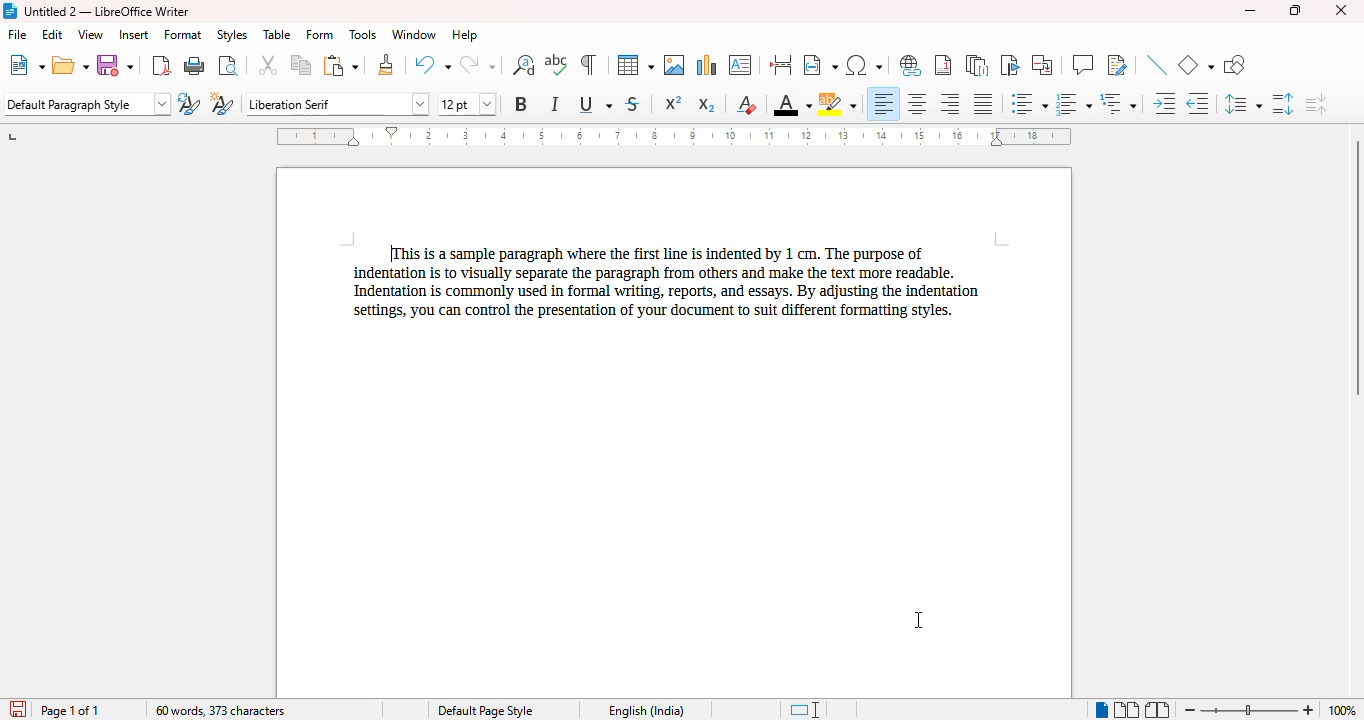 This screenshot has height=720, width=1364. I want to click on title, so click(106, 10).